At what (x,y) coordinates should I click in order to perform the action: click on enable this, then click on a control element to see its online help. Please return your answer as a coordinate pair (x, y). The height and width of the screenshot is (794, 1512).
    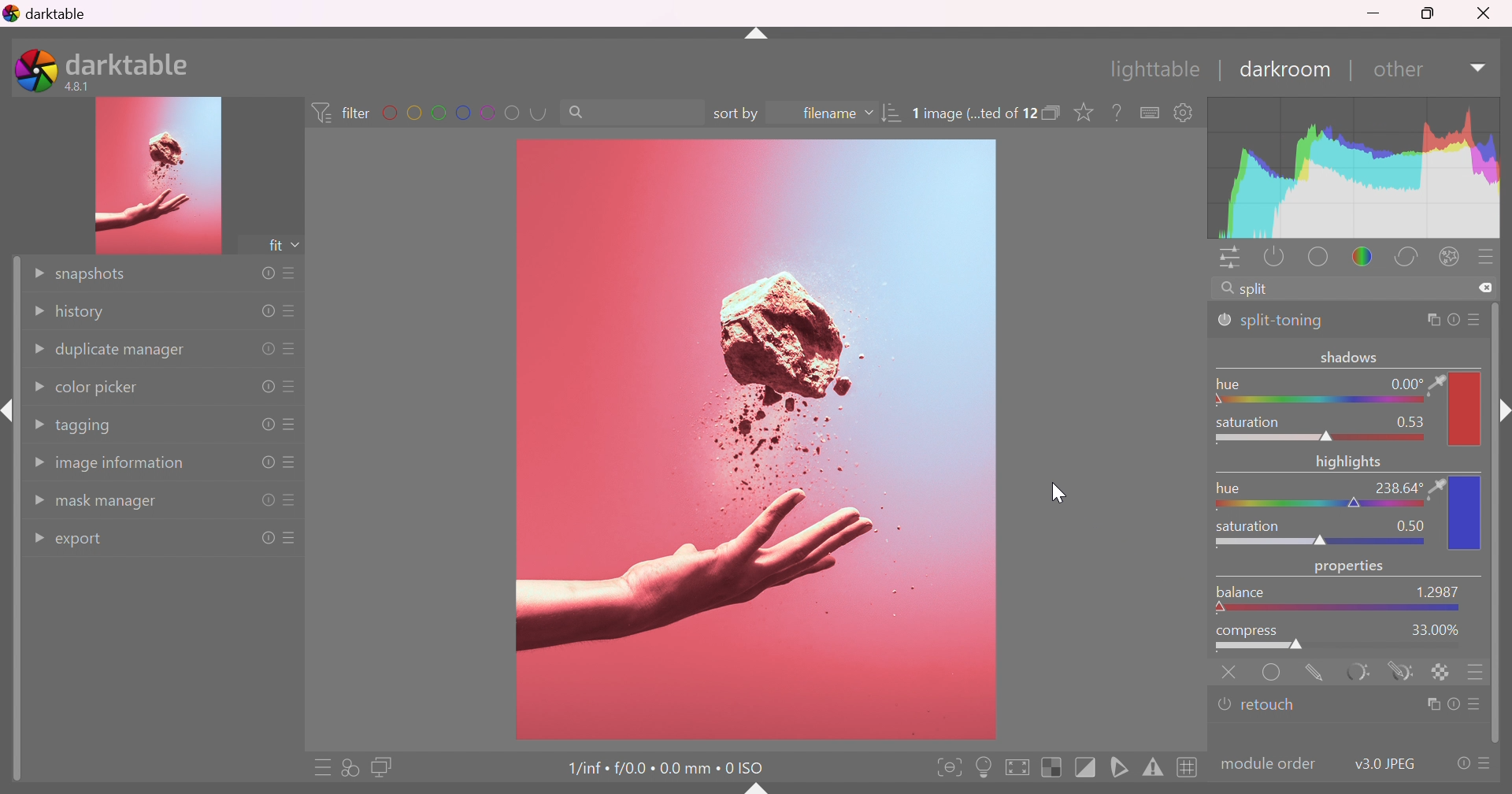
    Looking at the image, I should click on (1117, 112).